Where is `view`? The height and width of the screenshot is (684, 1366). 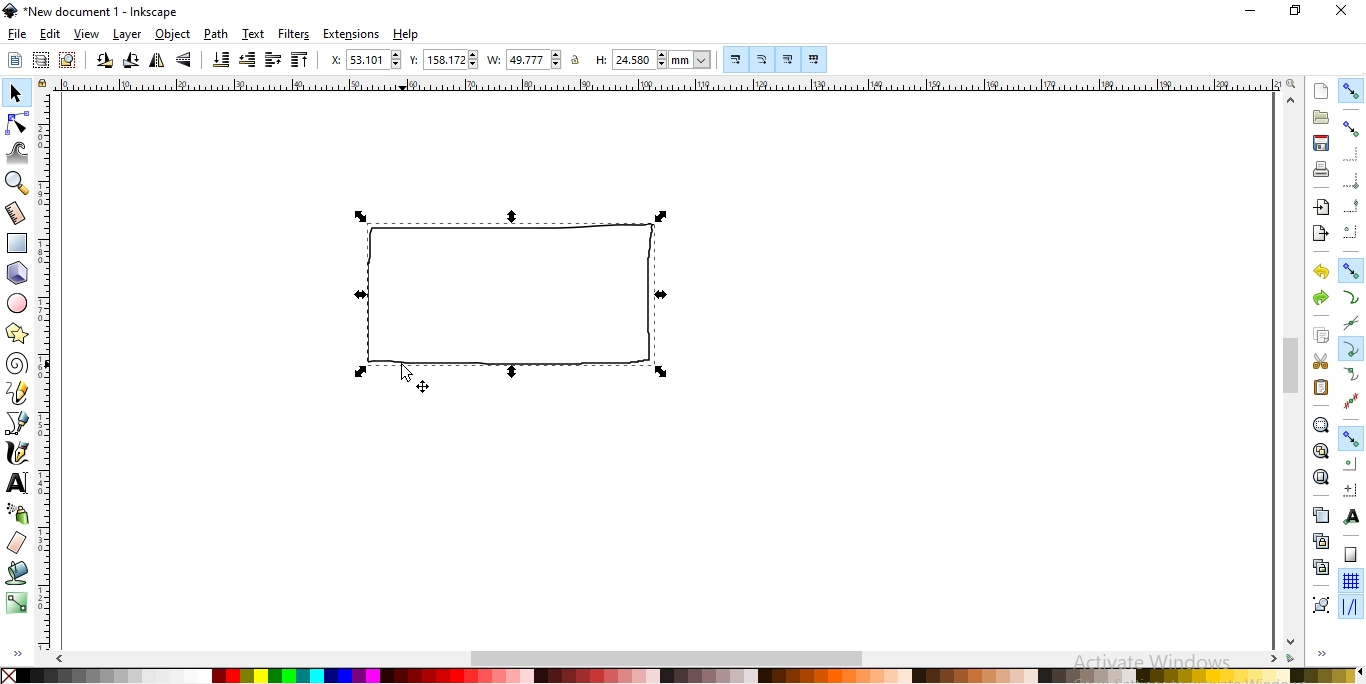 view is located at coordinates (86, 35).